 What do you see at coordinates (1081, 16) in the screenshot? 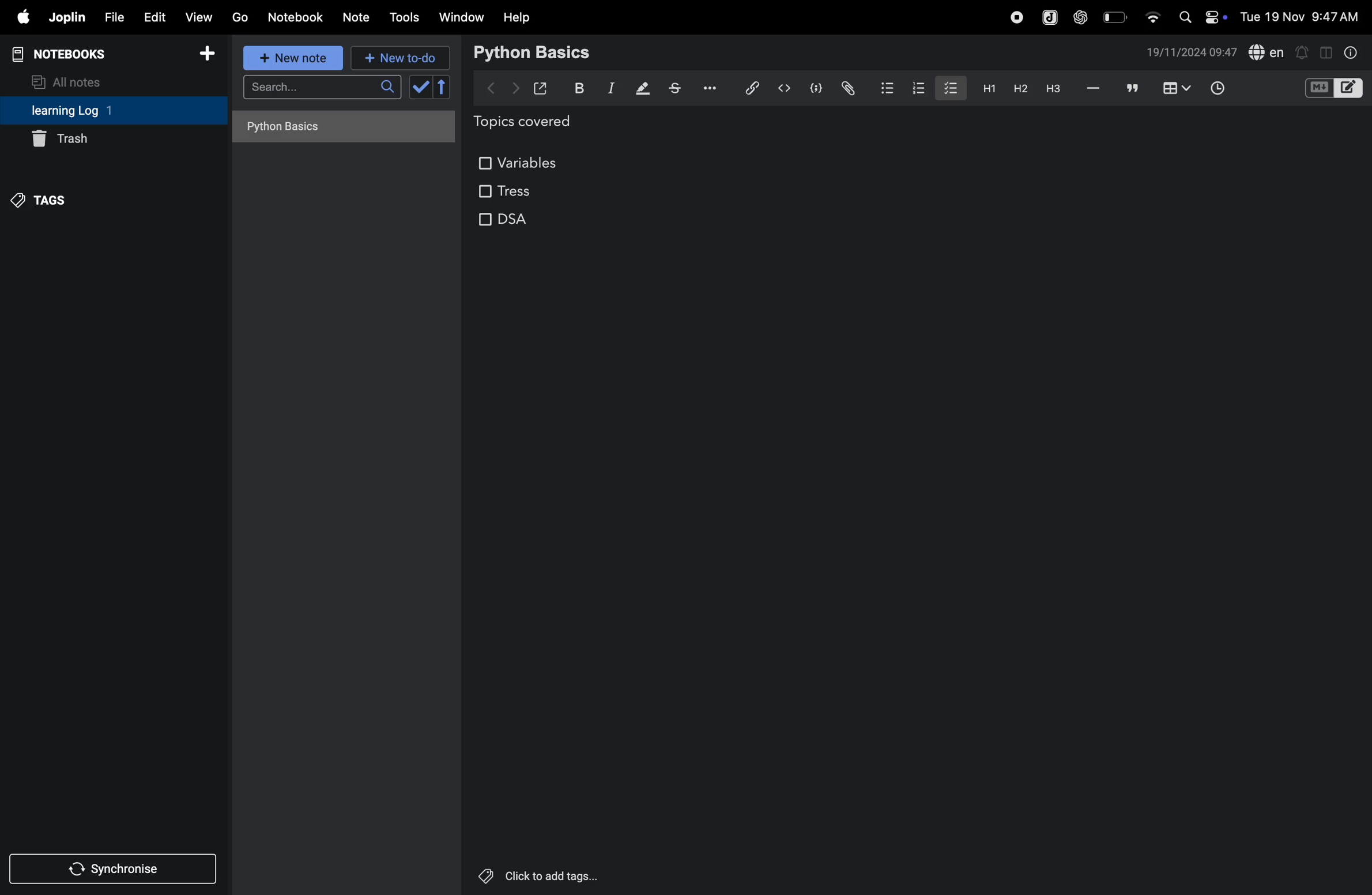
I see `chatgpt` at bounding box center [1081, 16].